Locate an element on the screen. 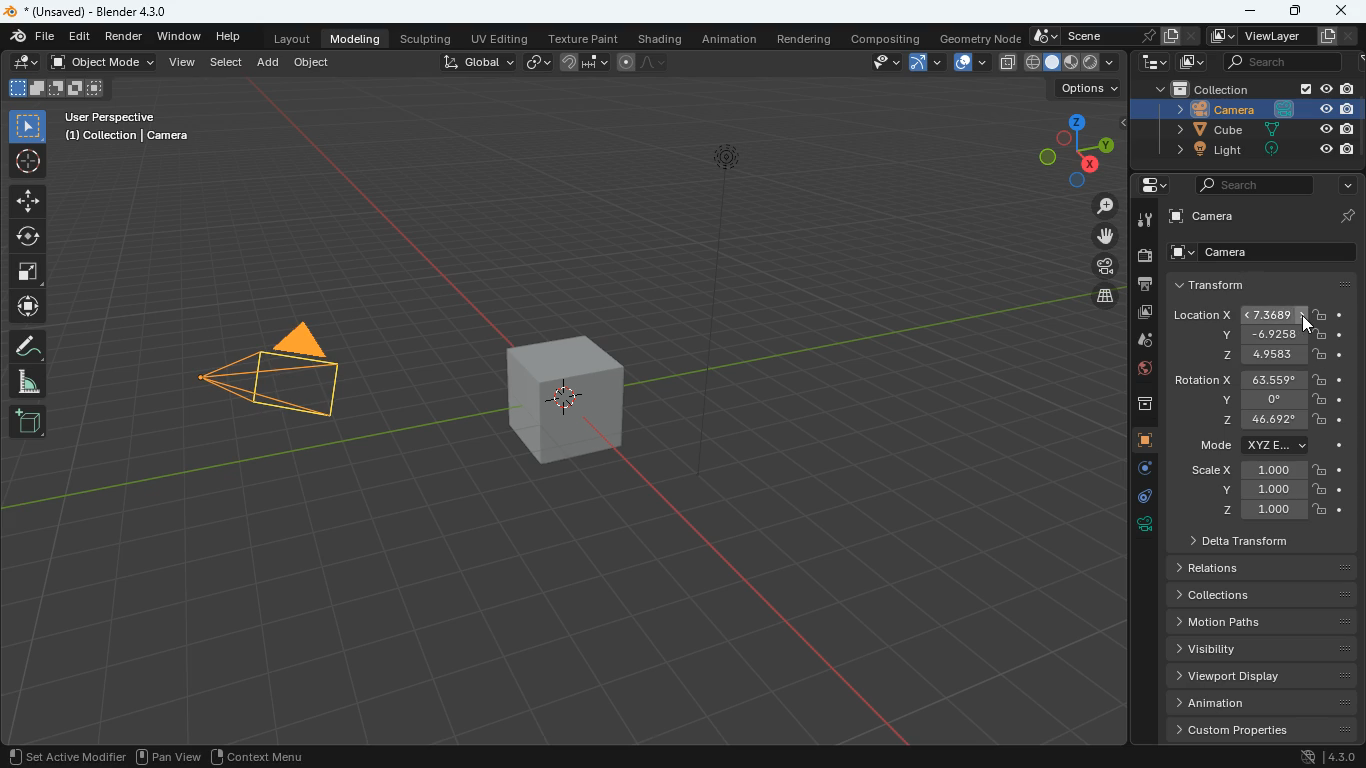 This screenshot has width=1366, height=768. view is located at coordinates (877, 63).